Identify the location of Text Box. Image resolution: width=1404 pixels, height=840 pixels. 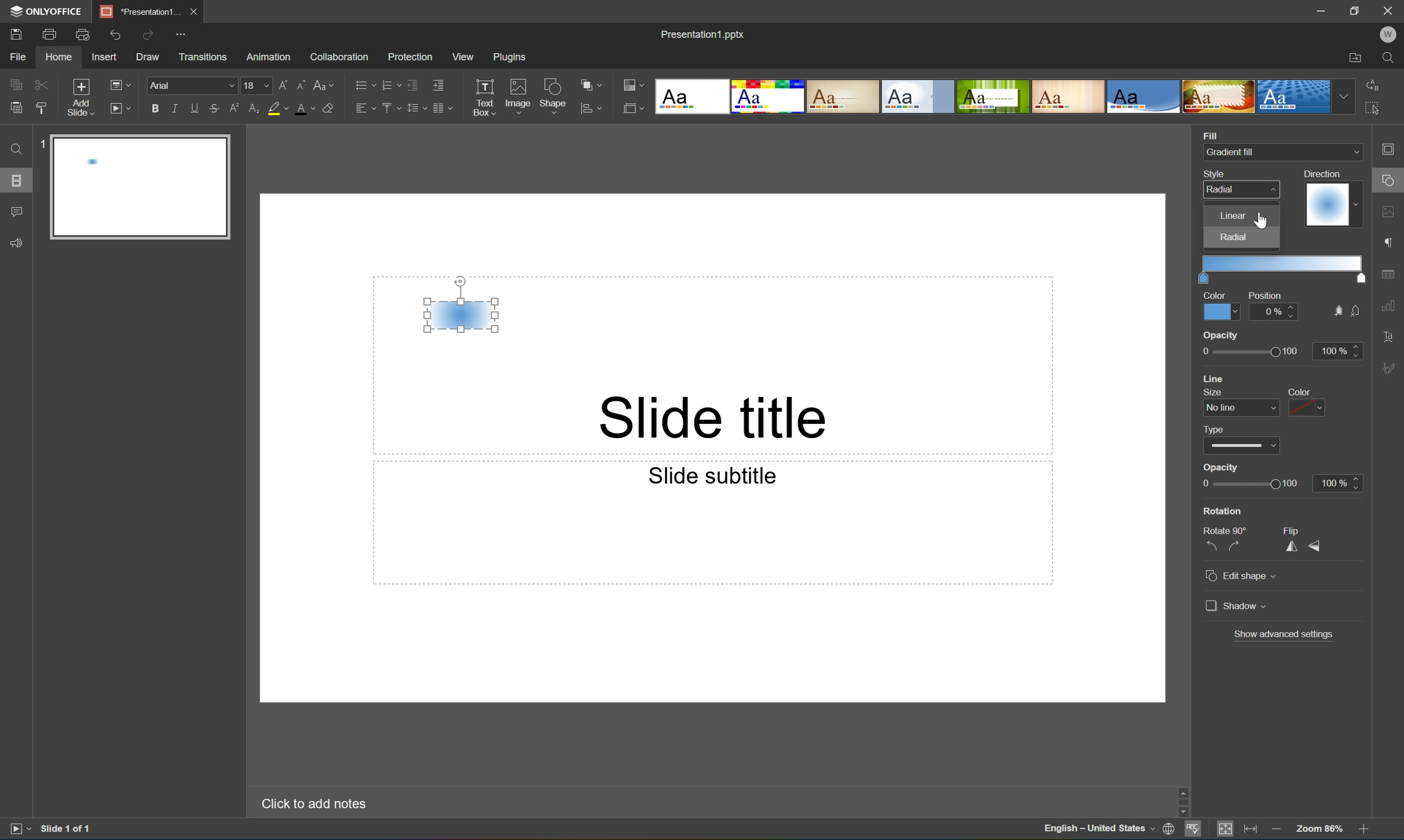
(483, 97).